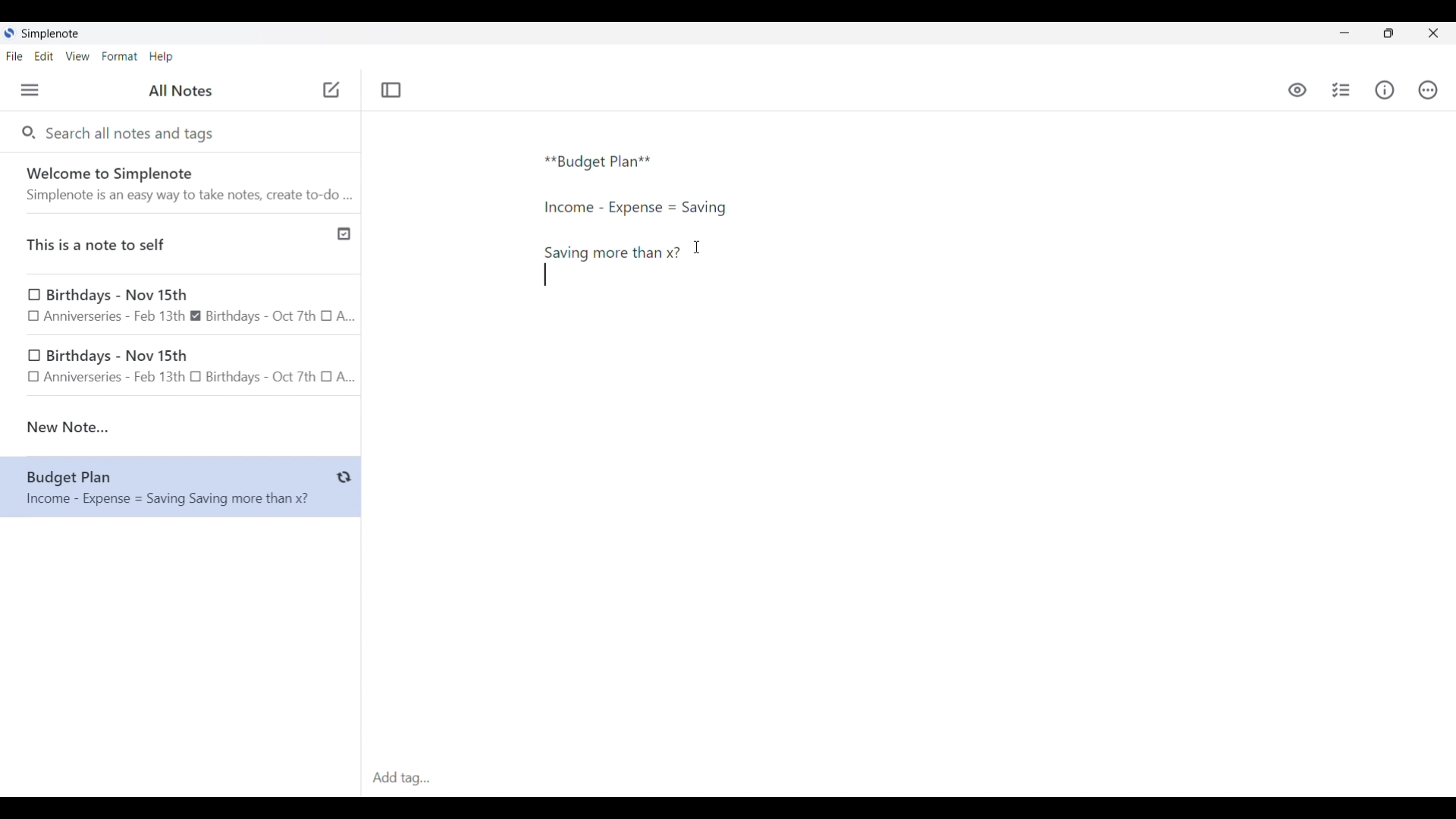 The height and width of the screenshot is (819, 1456). I want to click on View menu, so click(78, 55).